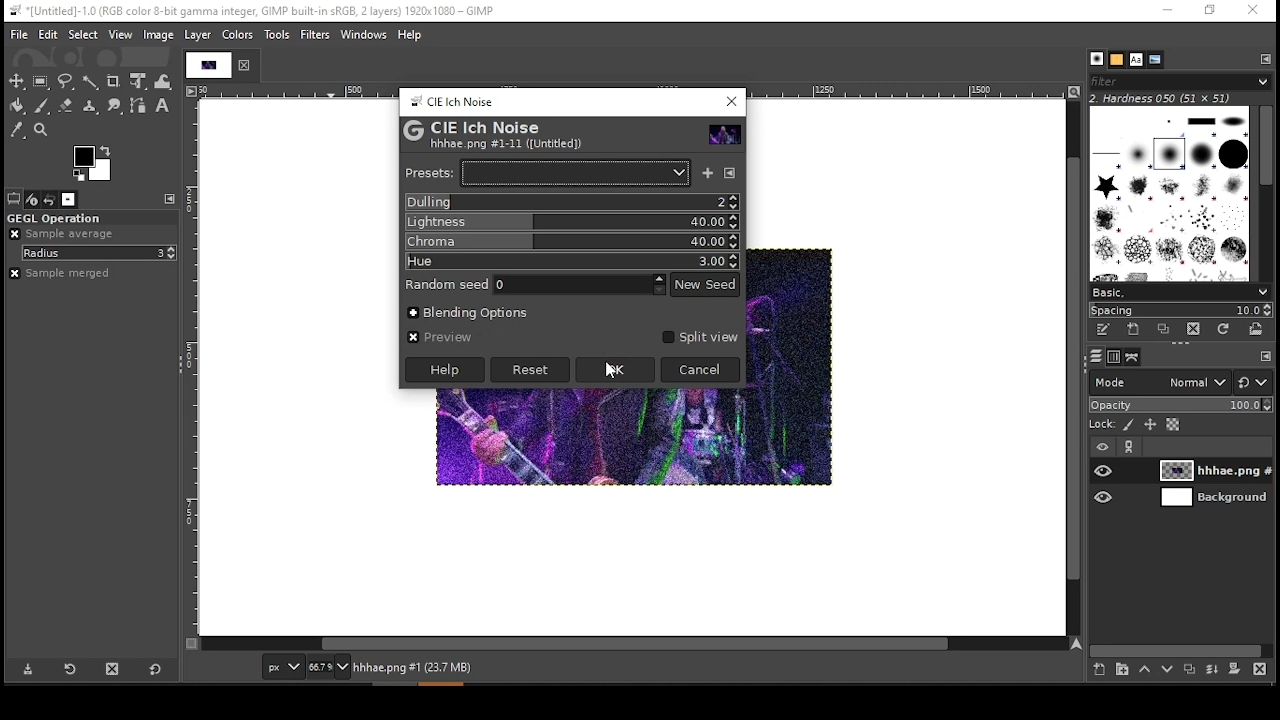 The height and width of the screenshot is (720, 1280). Describe the element at coordinates (439, 338) in the screenshot. I see `preview` at that location.